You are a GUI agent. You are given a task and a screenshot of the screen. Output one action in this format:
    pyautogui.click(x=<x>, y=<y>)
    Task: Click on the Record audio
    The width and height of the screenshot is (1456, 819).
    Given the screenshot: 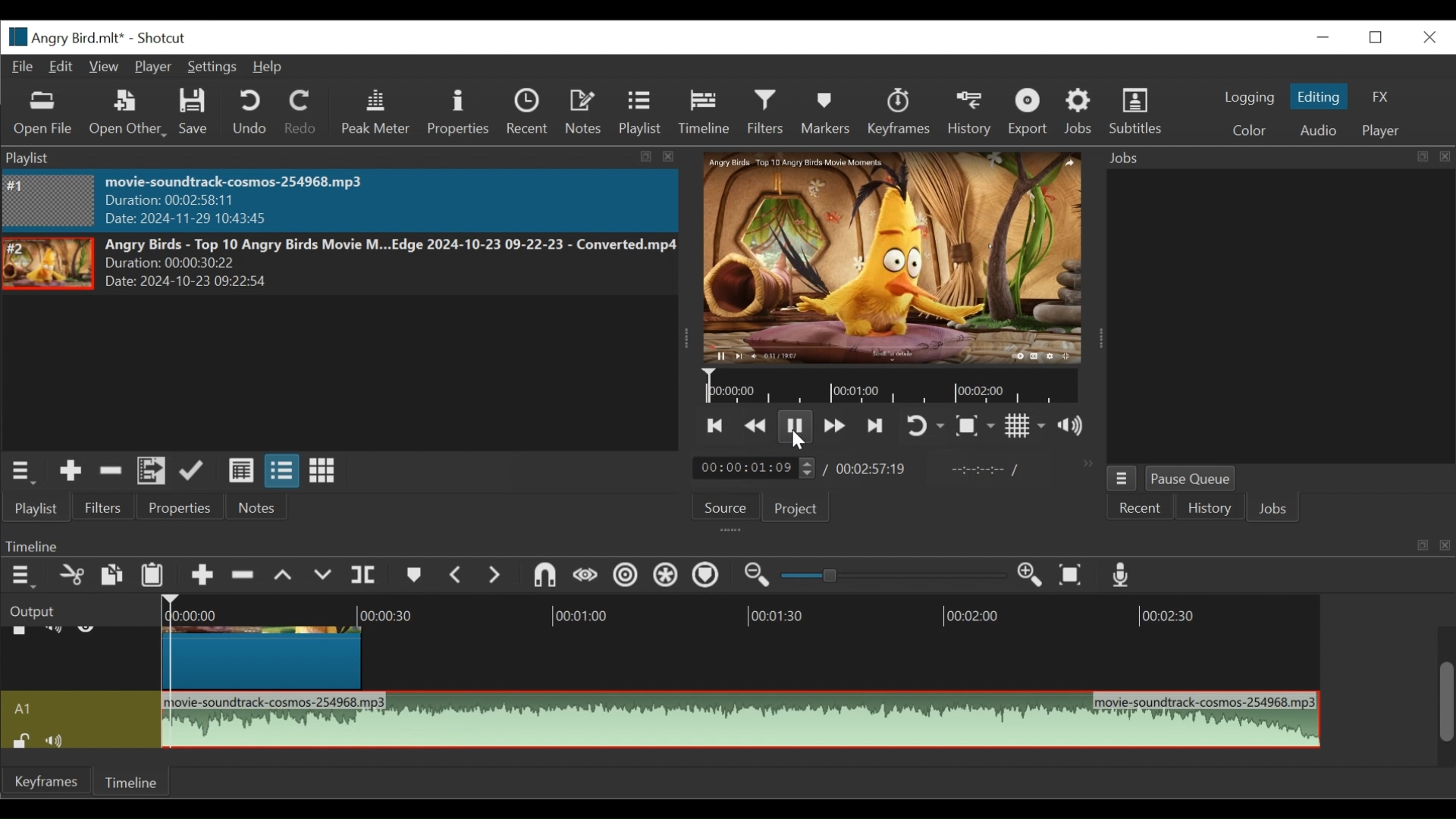 What is the action you would take?
    pyautogui.click(x=1122, y=576)
    